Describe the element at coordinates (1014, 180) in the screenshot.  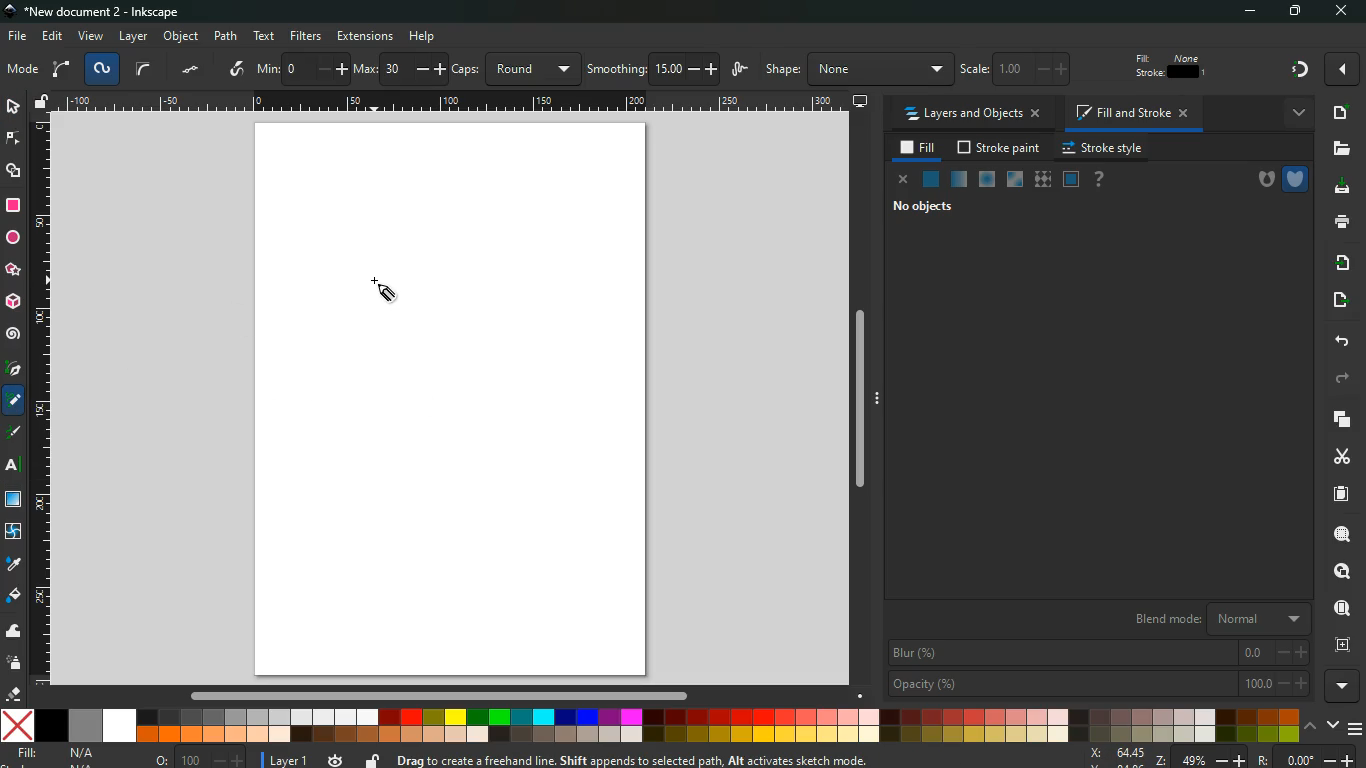
I see `window` at that location.